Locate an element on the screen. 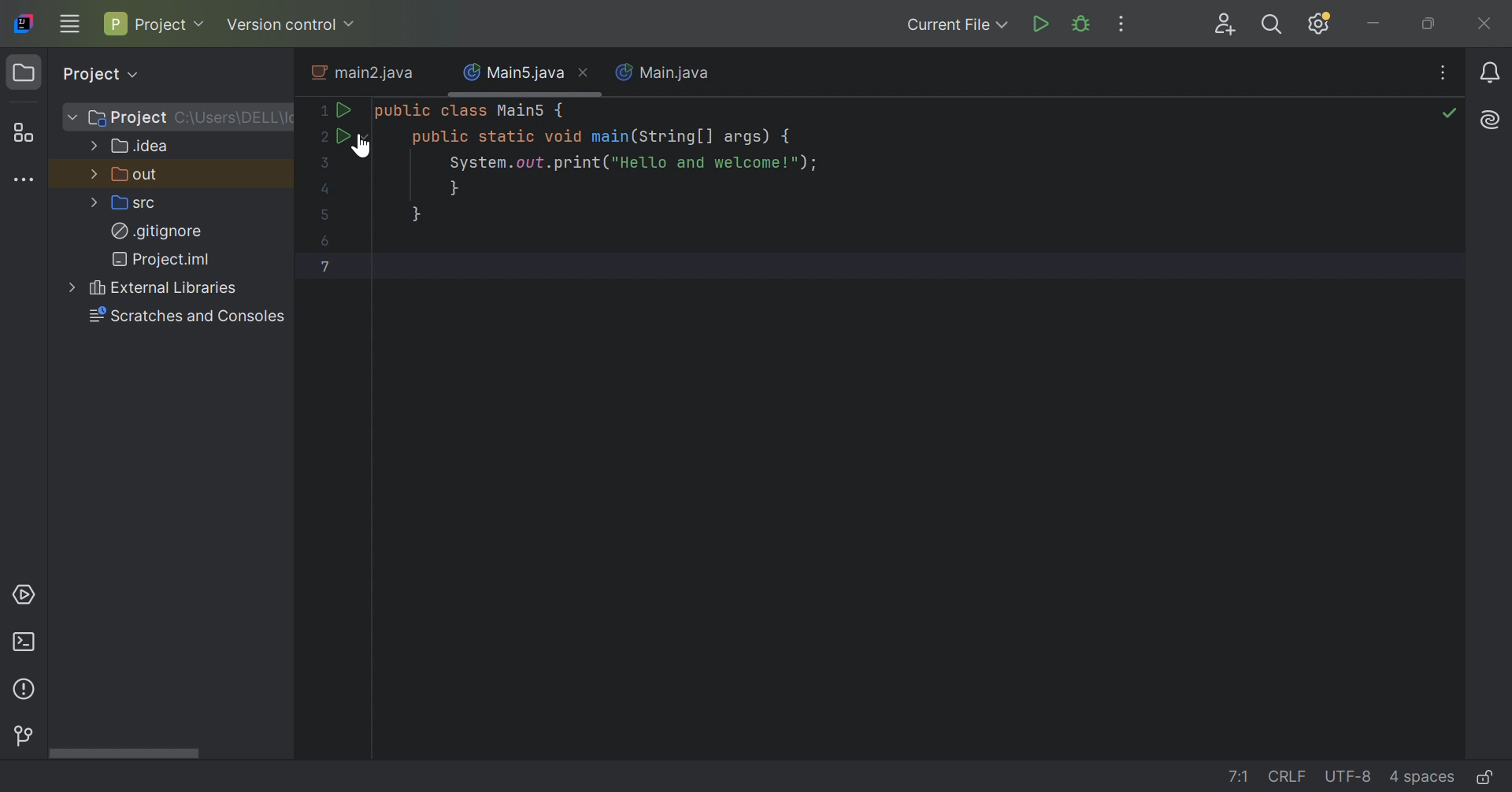 The width and height of the screenshot is (1512, 792). Current File is located at coordinates (958, 26).